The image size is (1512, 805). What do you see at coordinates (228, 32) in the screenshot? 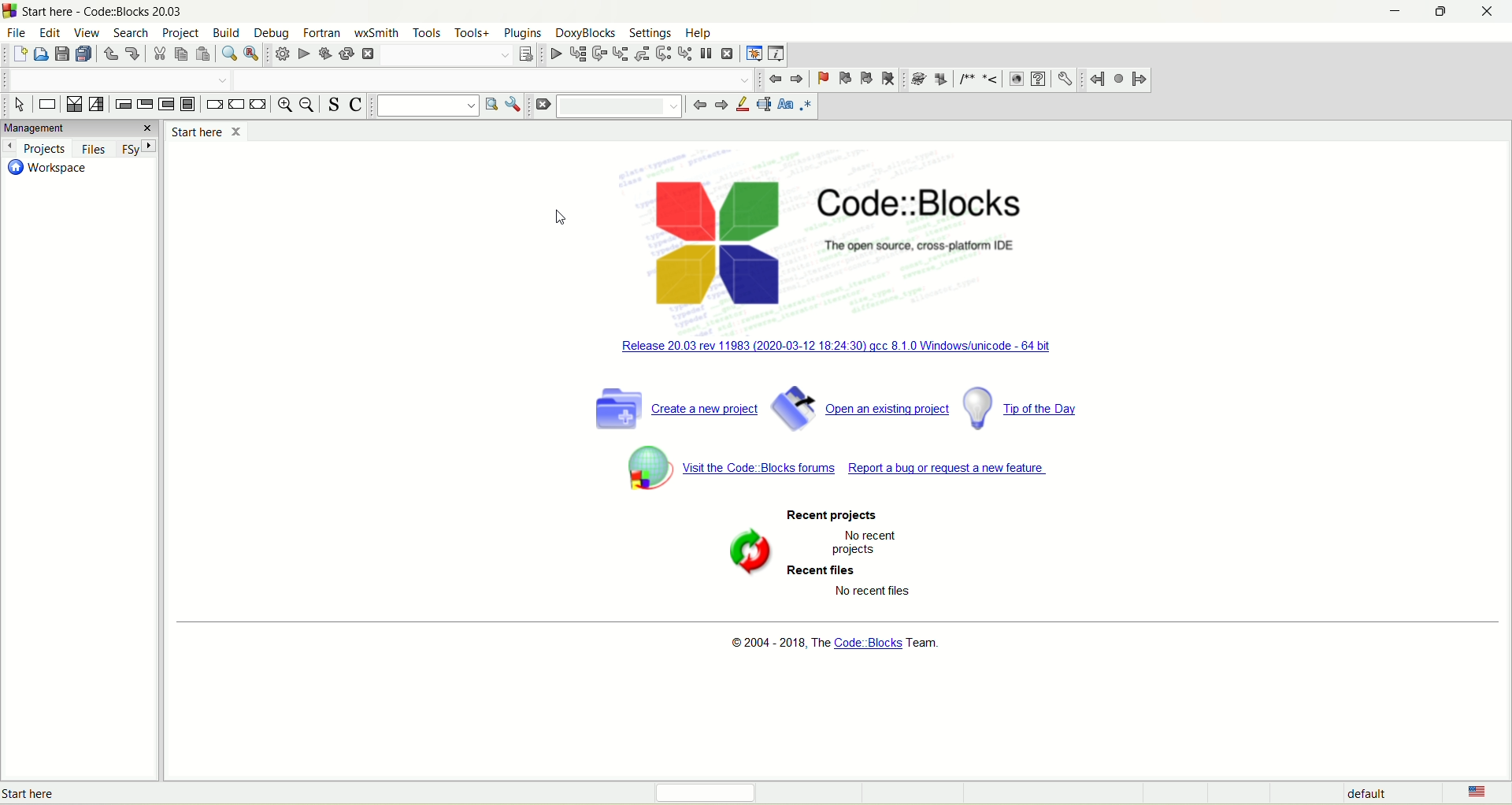
I see `build` at bounding box center [228, 32].